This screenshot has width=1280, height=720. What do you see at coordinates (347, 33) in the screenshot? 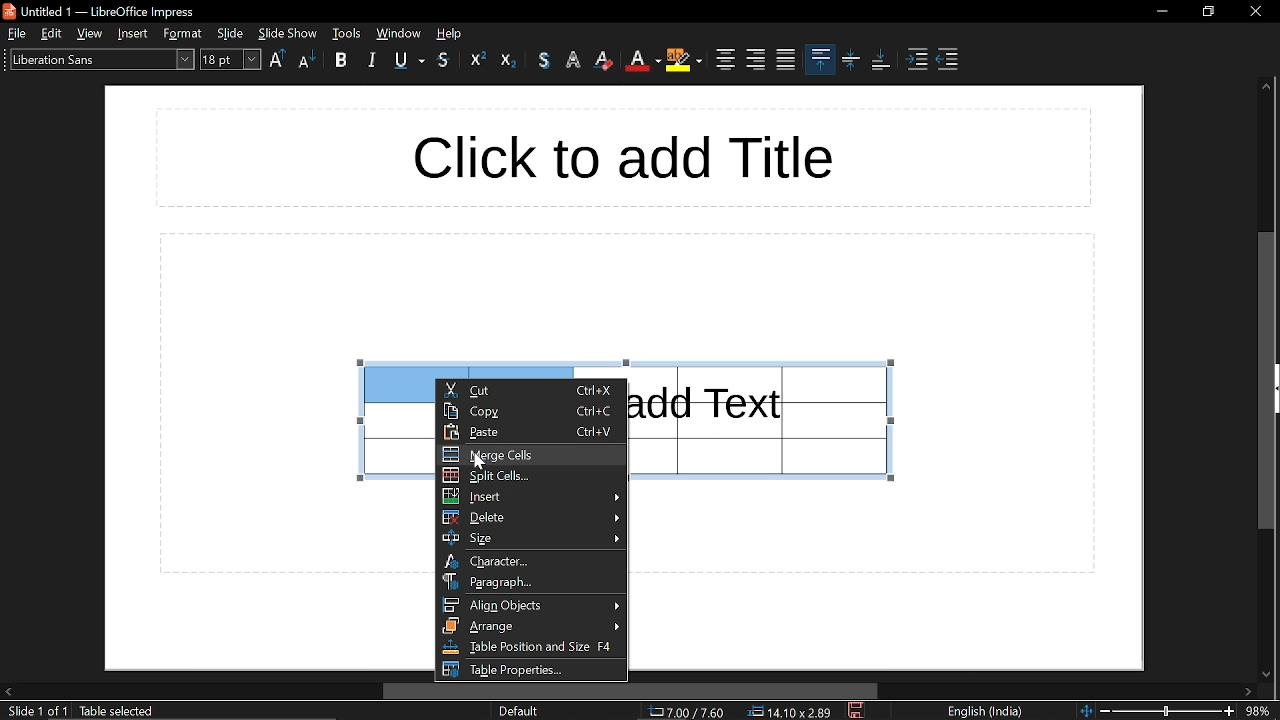
I see `window` at bounding box center [347, 33].